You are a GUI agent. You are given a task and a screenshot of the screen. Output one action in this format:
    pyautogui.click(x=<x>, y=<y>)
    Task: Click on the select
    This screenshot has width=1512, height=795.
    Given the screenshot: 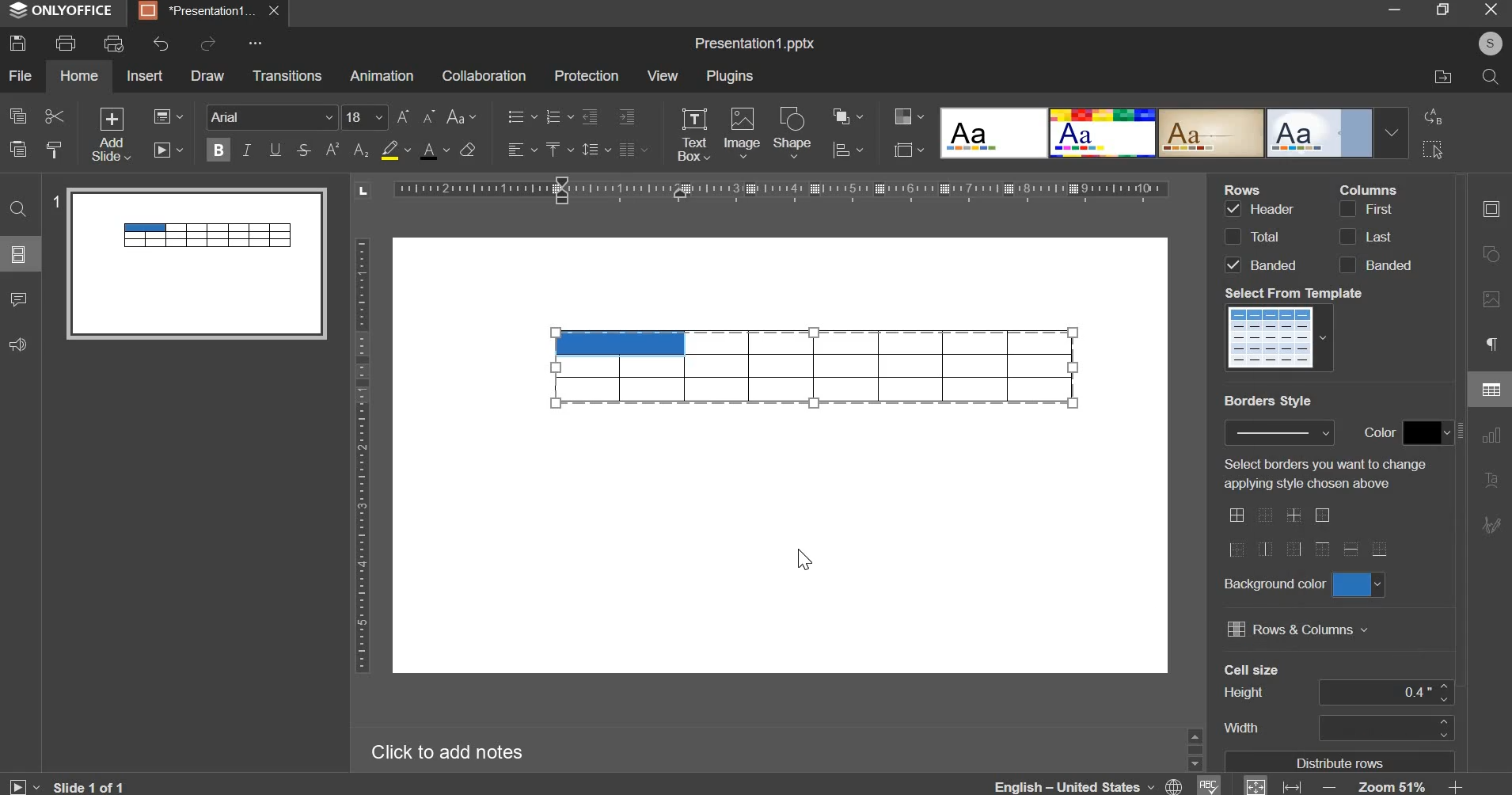 What is the action you would take?
    pyautogui.click(x=1433, y=151)
    